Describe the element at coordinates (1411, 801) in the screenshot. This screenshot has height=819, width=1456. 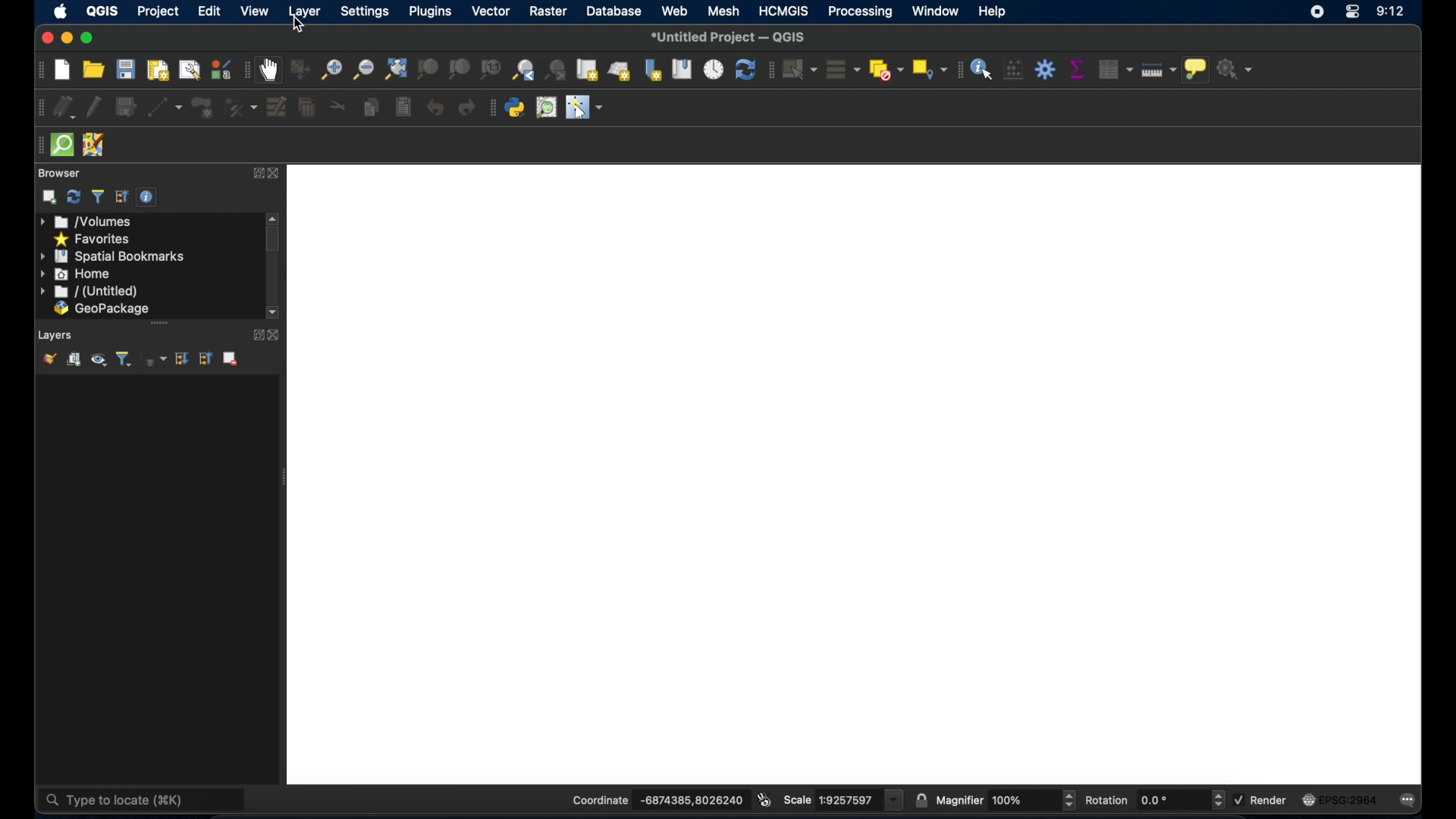
I see `messages` at that location.